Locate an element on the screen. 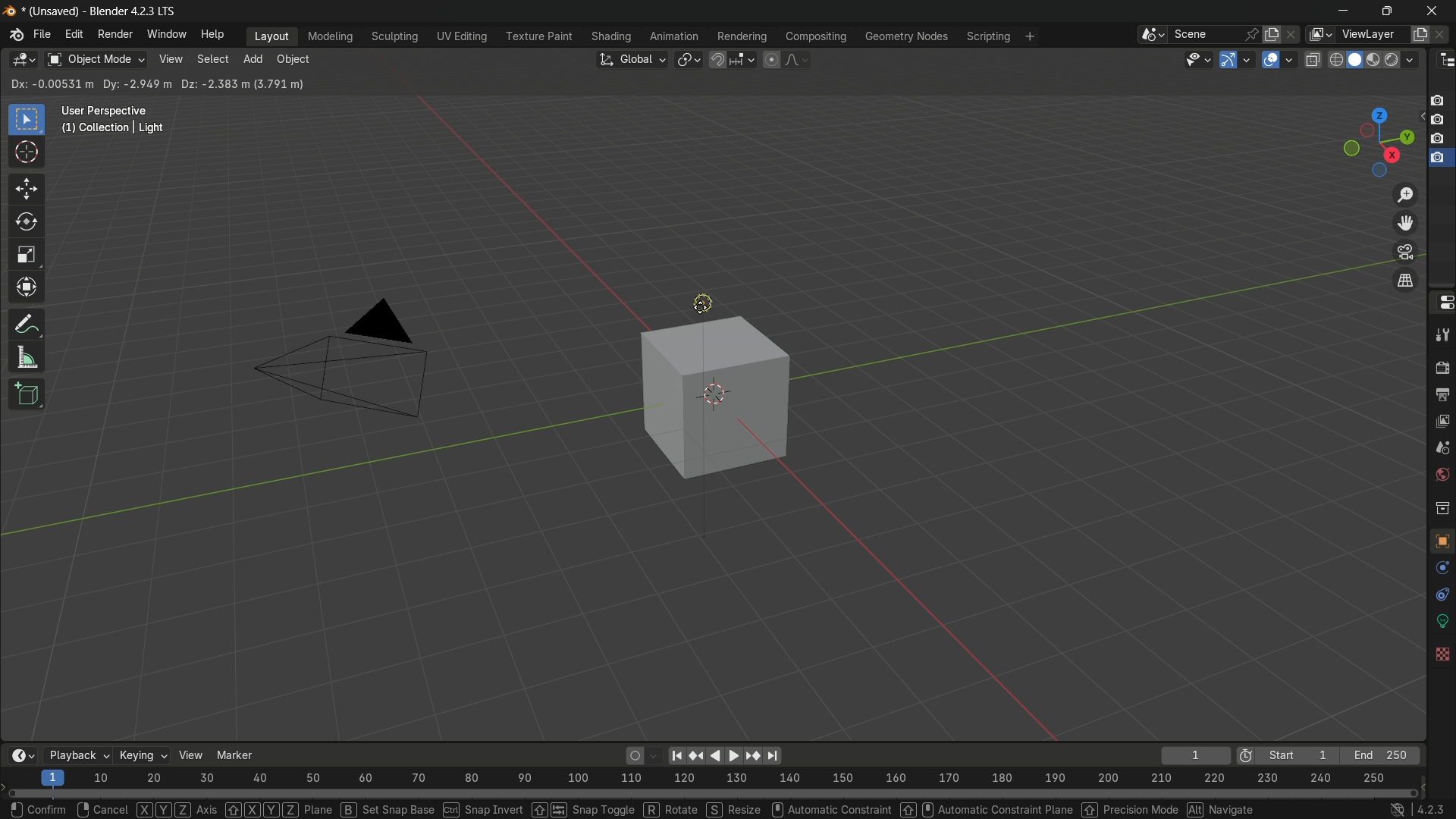 This screenshot has width=1456, height=819. snap is located at coordinates (731, 60).